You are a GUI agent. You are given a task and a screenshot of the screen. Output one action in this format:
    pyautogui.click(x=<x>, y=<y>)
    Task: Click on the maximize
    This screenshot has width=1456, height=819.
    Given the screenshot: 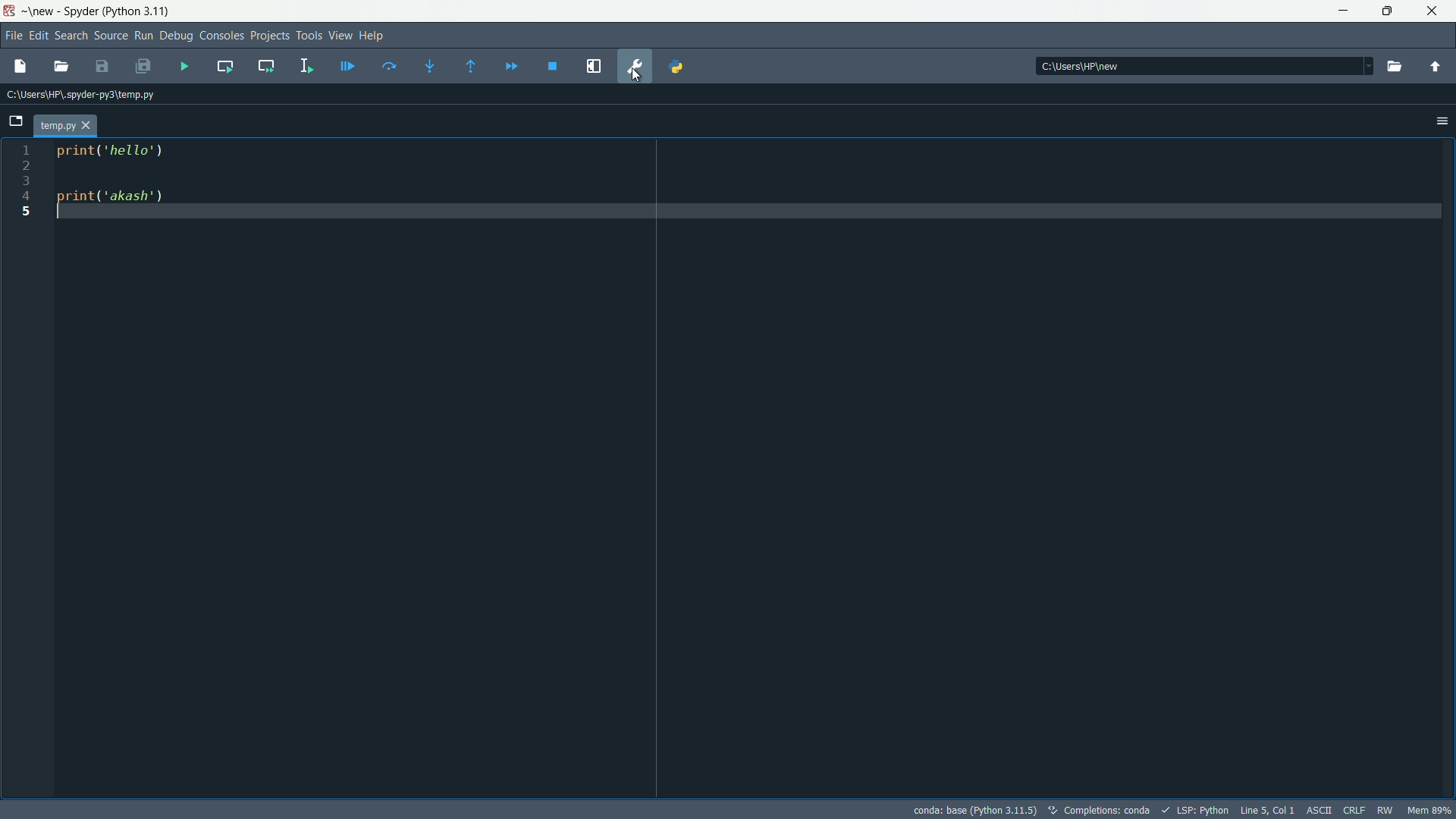 What is the action you would take?
    pyautogui.click(x=1389, y=11)
    